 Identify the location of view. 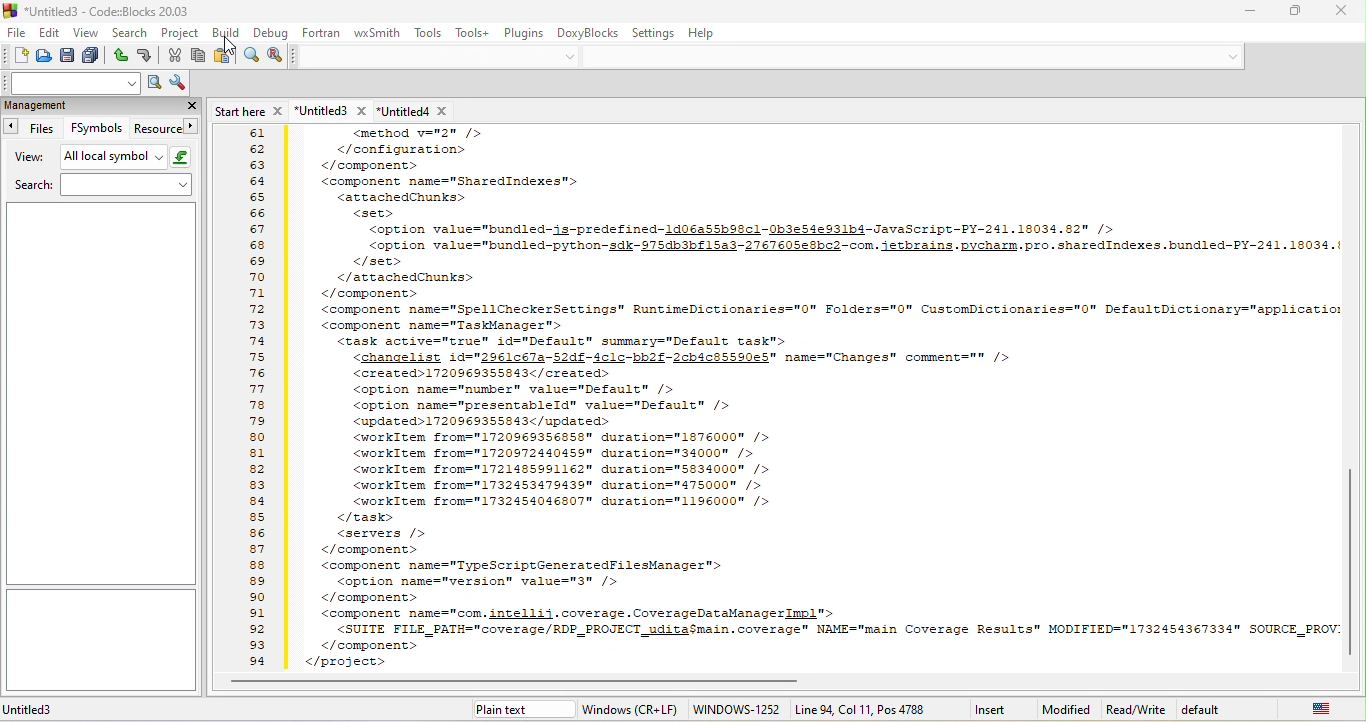
(86, 34).